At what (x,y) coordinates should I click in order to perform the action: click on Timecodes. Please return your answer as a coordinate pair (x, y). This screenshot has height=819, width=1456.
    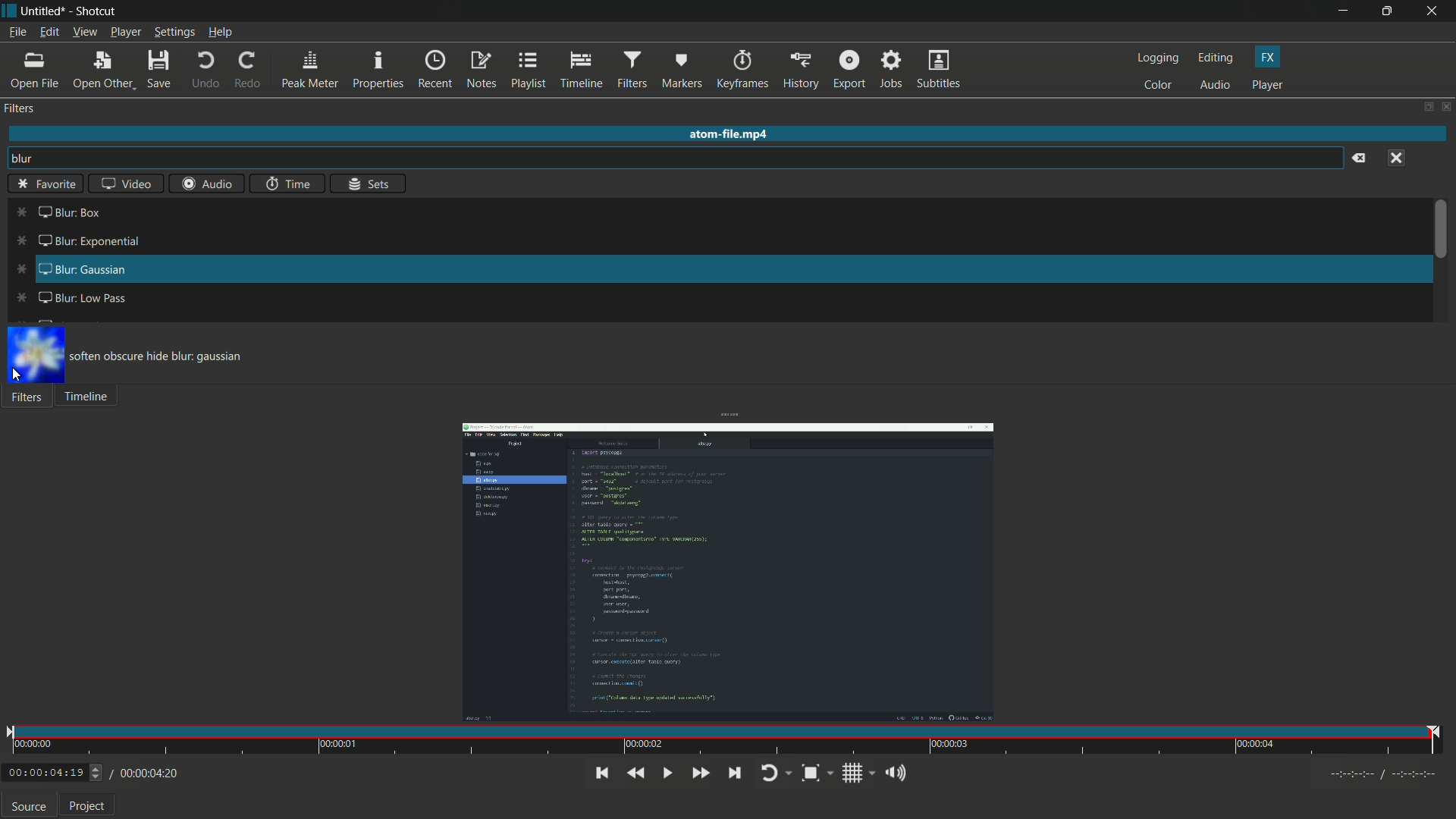
    Looking at the image, I should click on (1376, 777).